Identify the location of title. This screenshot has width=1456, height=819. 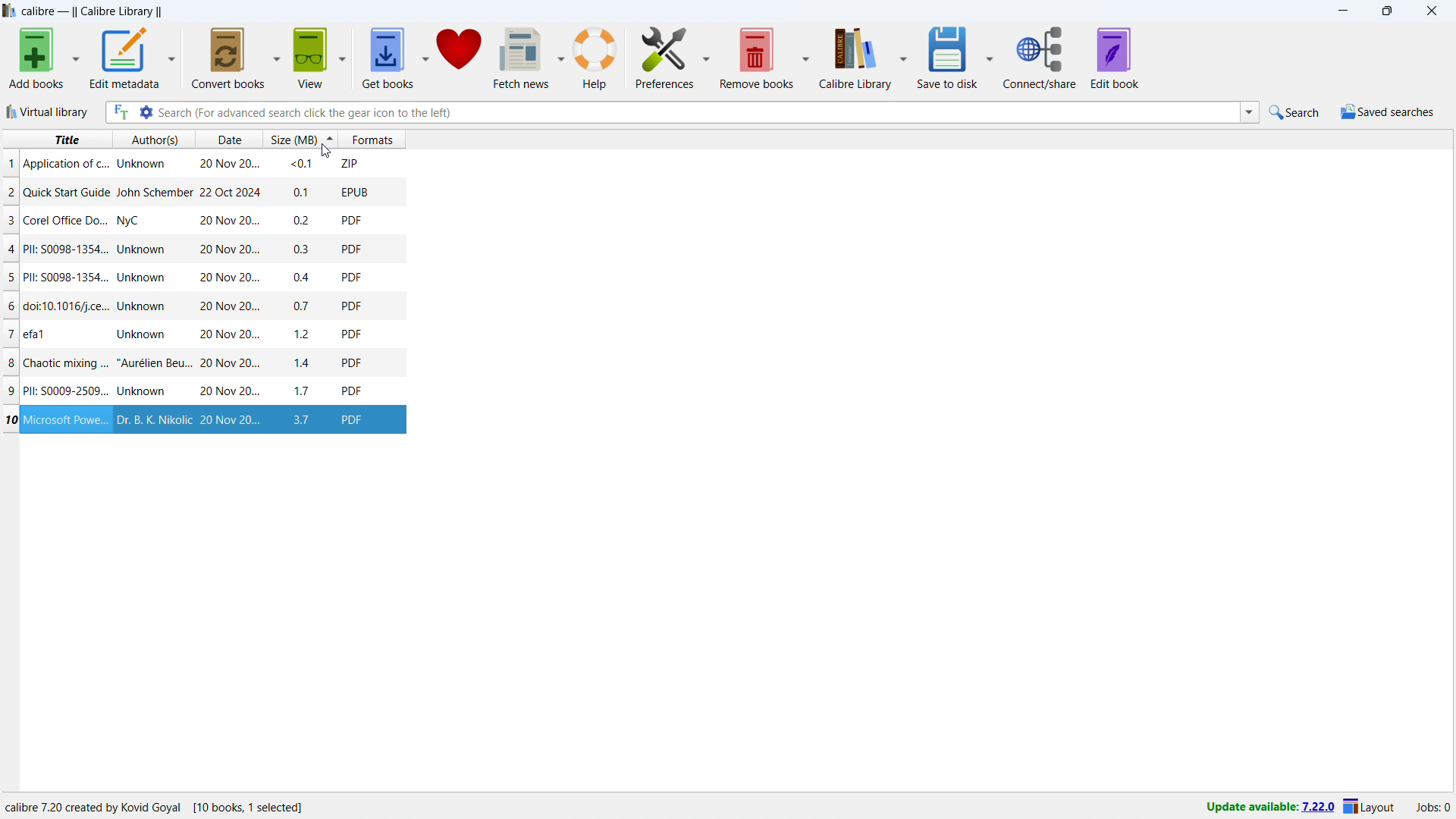
(67, 419).